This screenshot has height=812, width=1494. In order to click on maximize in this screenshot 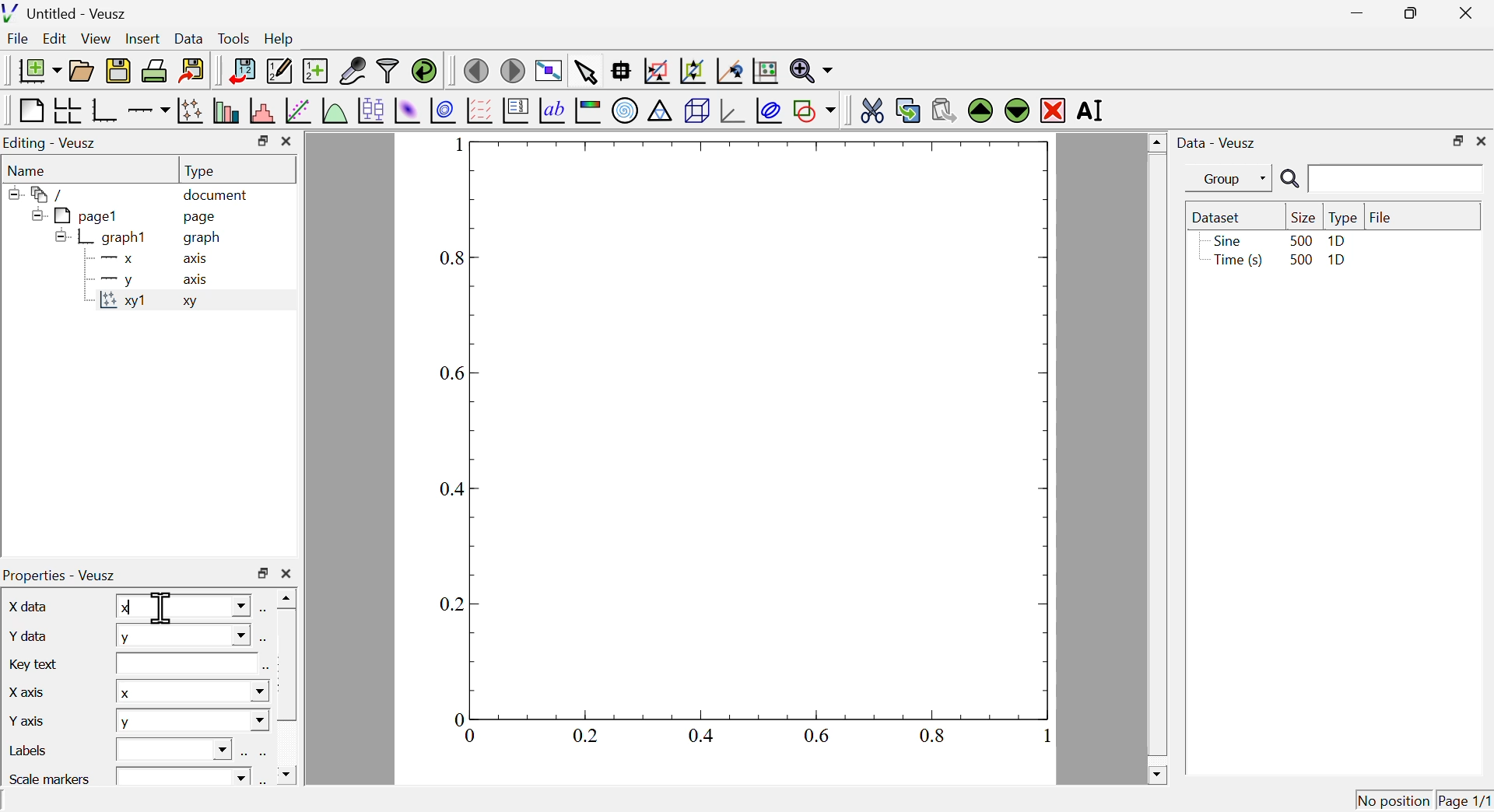, I will do `click(1407, 14)`.